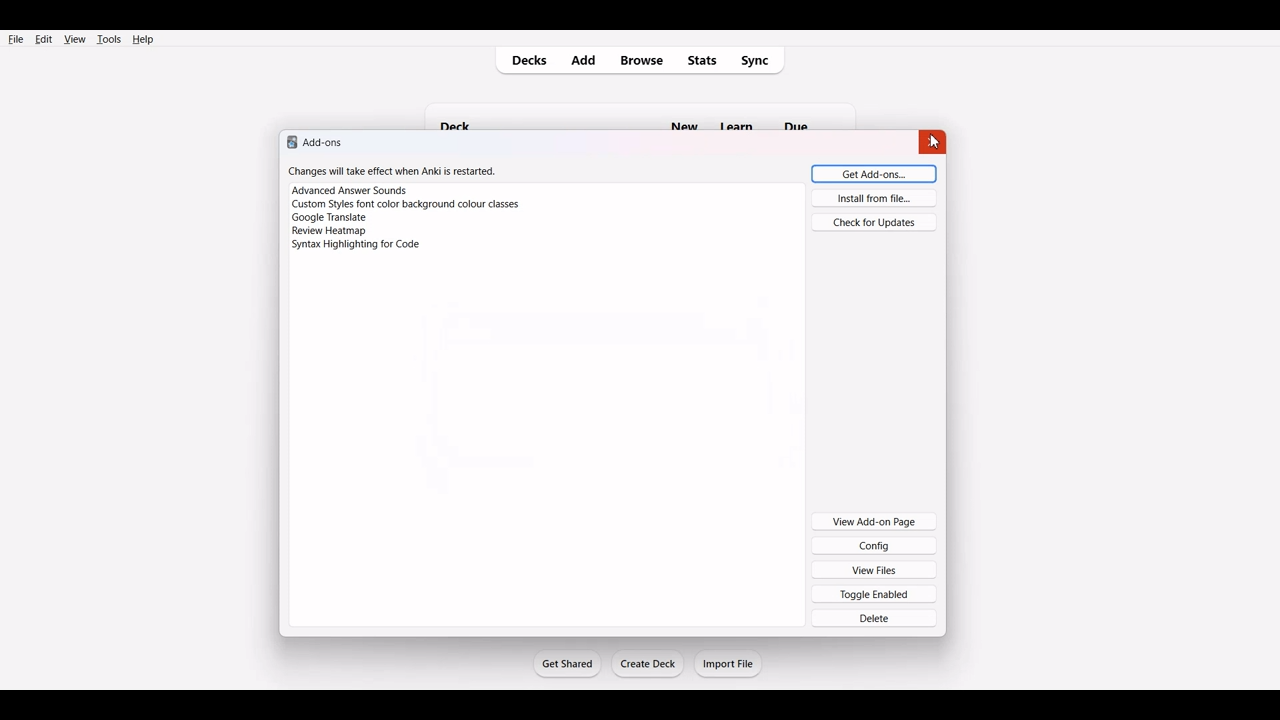 The width and height of the screenshot is (1280, 720). Describe the element at coordinates (566, 663) in the screenshot. I see `Get Started` at that location.